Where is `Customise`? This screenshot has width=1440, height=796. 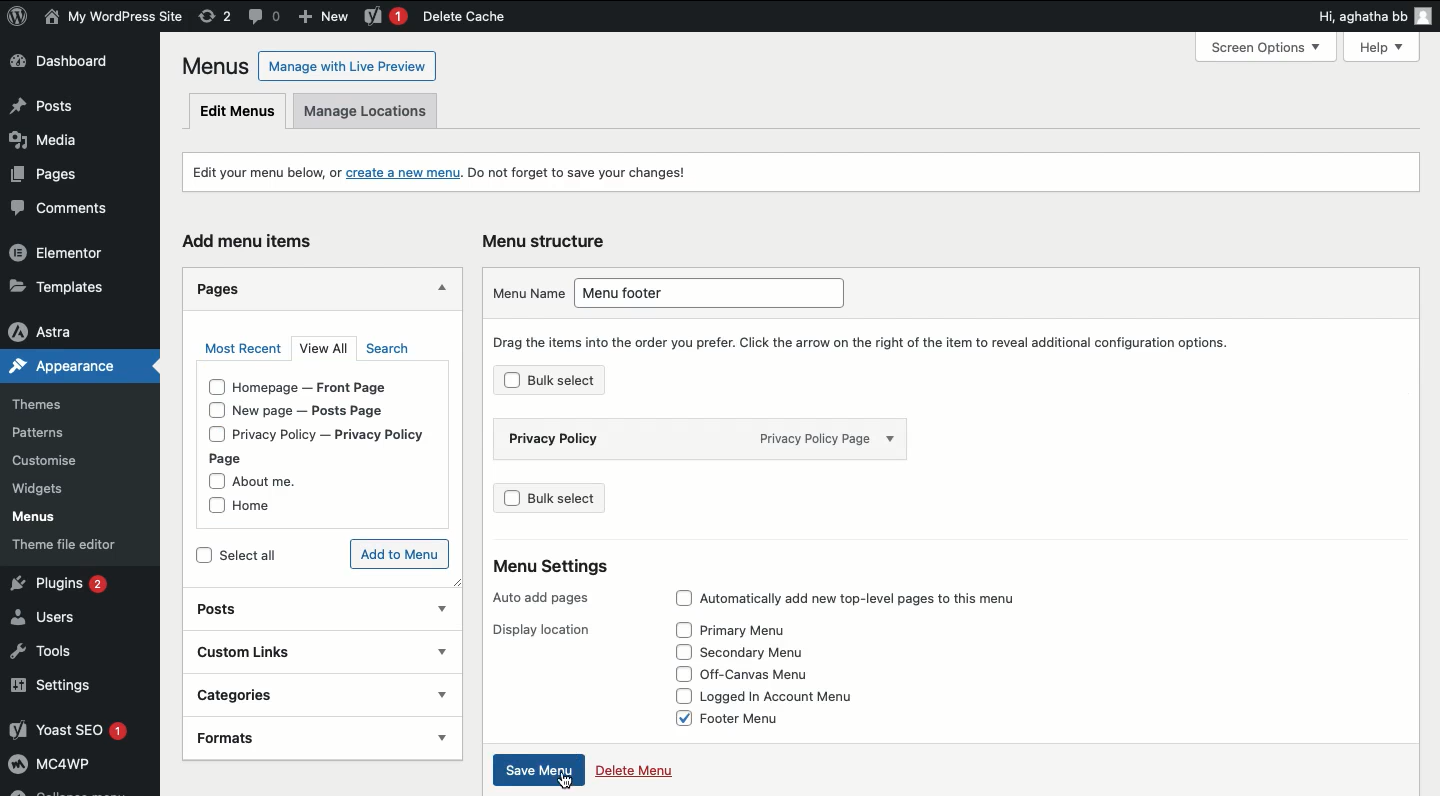
Customise is located at coordinates (43, 462).